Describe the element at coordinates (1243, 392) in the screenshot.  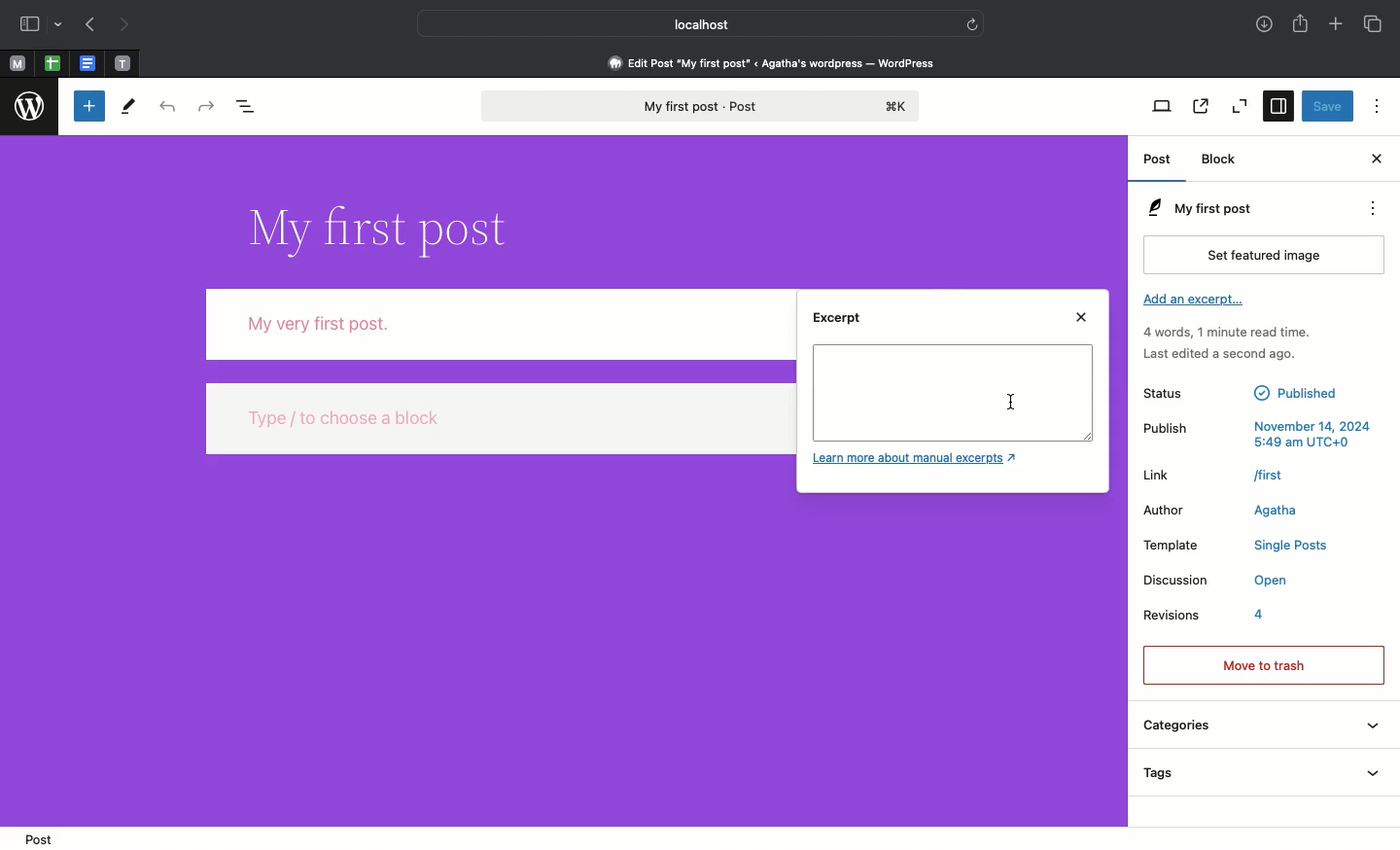
I see `Status` at that location.